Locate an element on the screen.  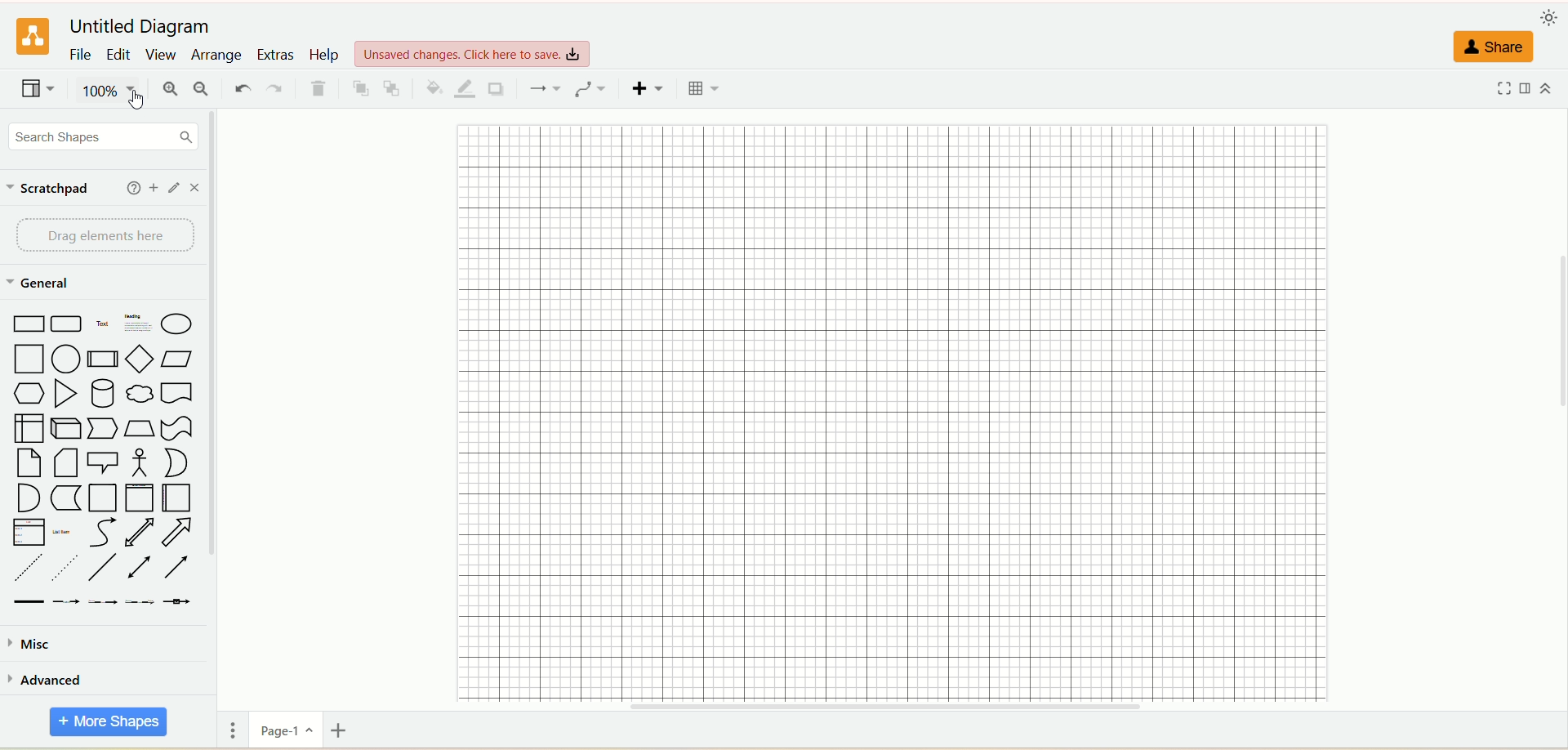
vertical container is located at coordinates (140, 498).